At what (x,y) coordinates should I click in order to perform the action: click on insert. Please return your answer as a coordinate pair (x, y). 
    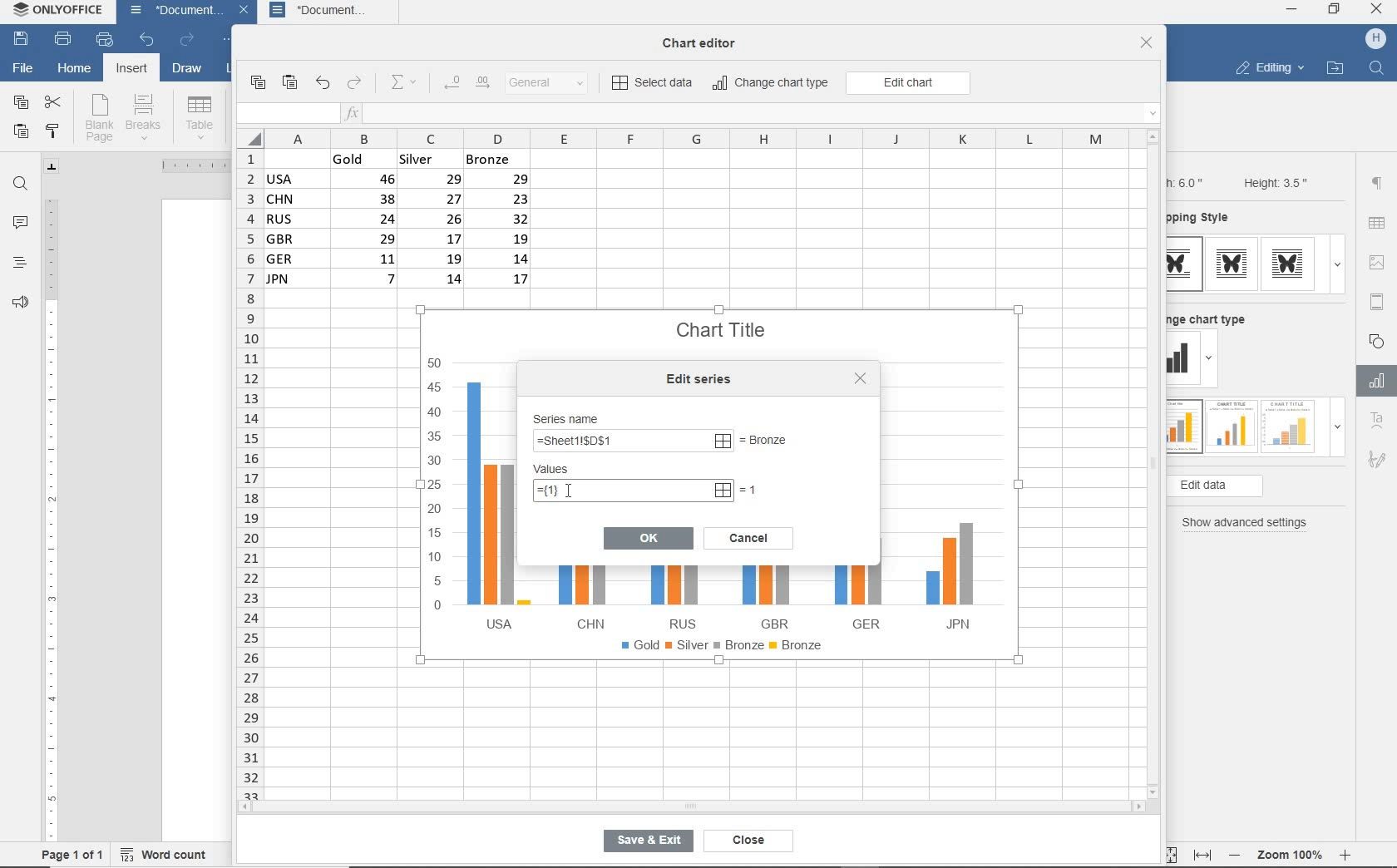
    Looking at the image, I should click on (130, 70).